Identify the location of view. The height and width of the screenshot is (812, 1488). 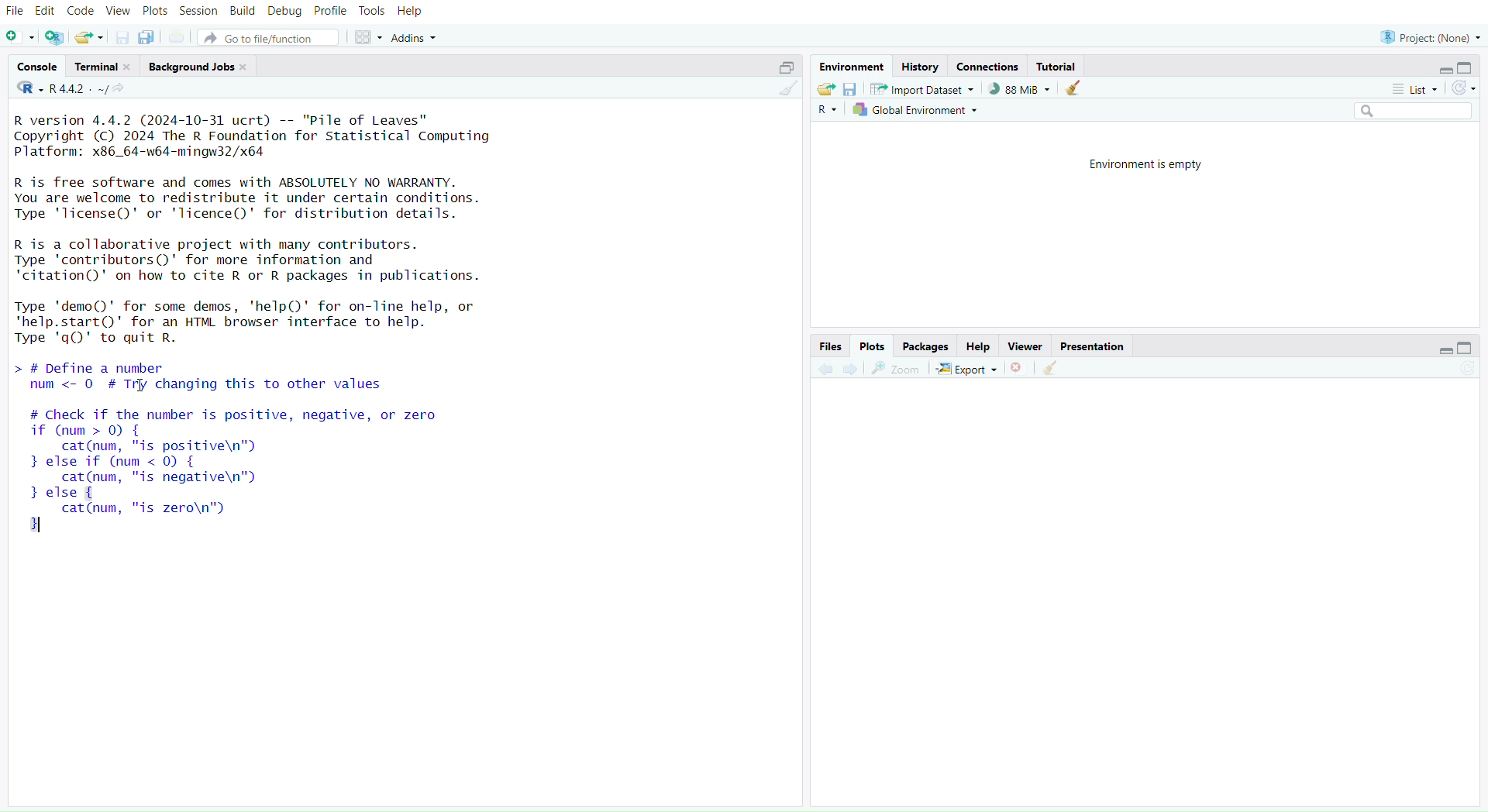
(119, 12).